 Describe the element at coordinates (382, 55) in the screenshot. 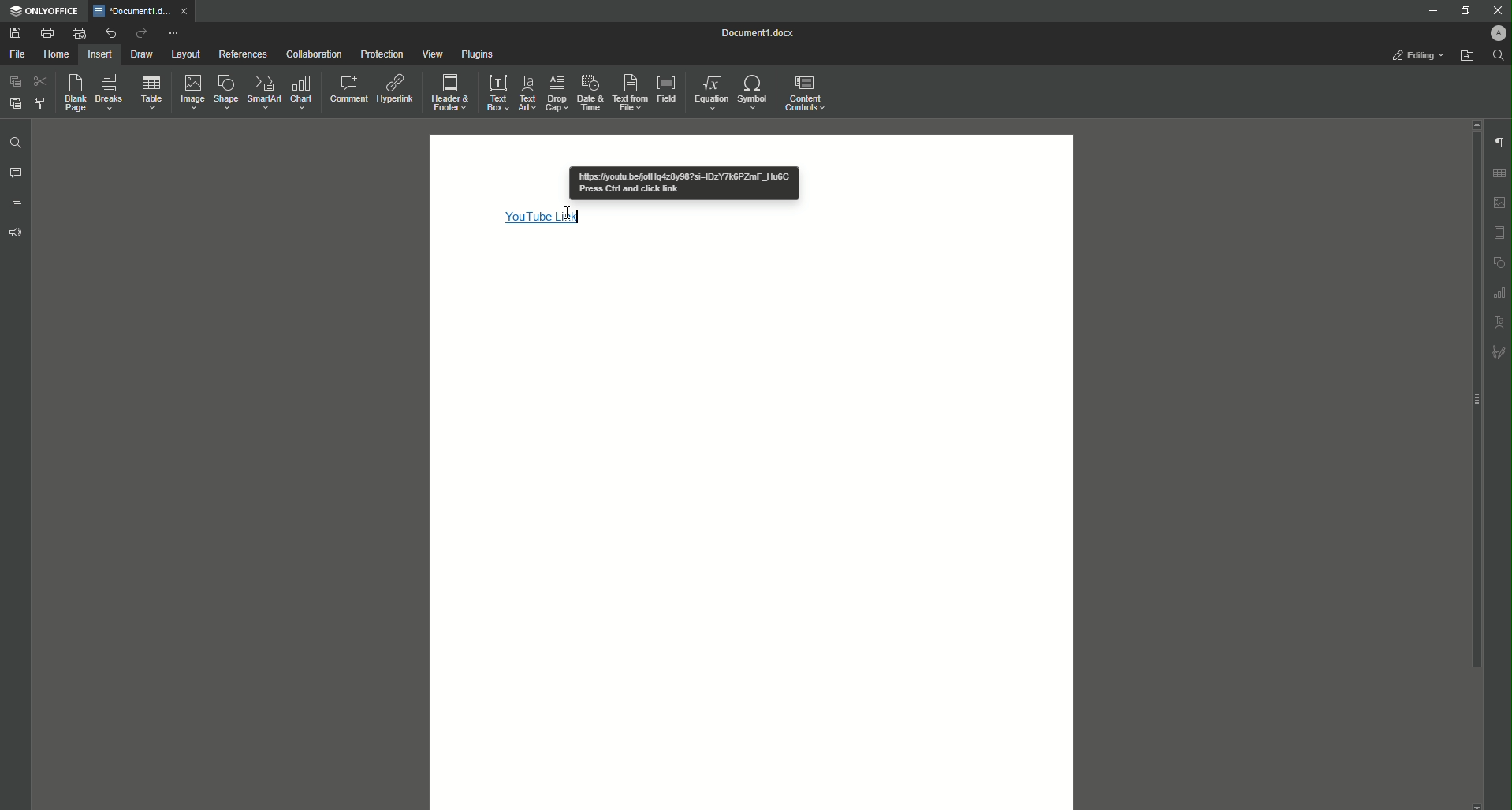

I see `Protection` at that location.